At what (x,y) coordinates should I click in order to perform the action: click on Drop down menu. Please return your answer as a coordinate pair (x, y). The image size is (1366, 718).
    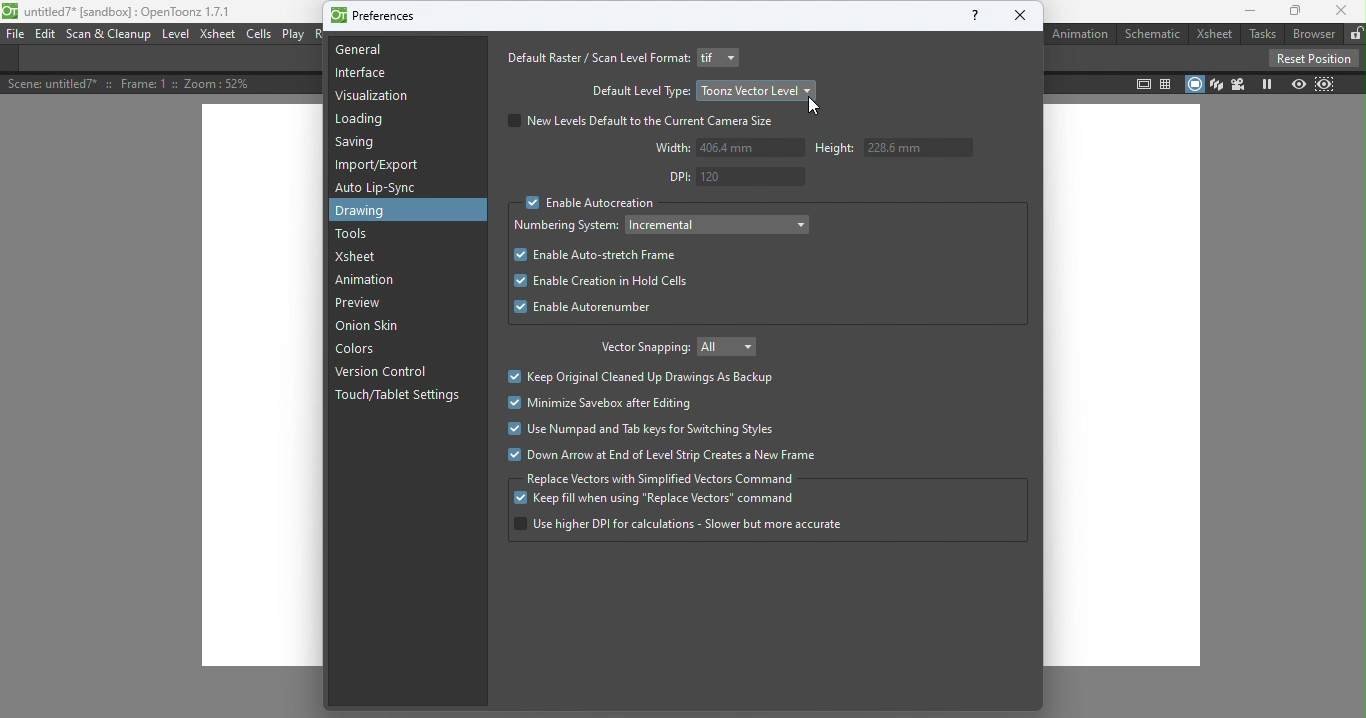
    Looking at the image, I should click on (722, 57).